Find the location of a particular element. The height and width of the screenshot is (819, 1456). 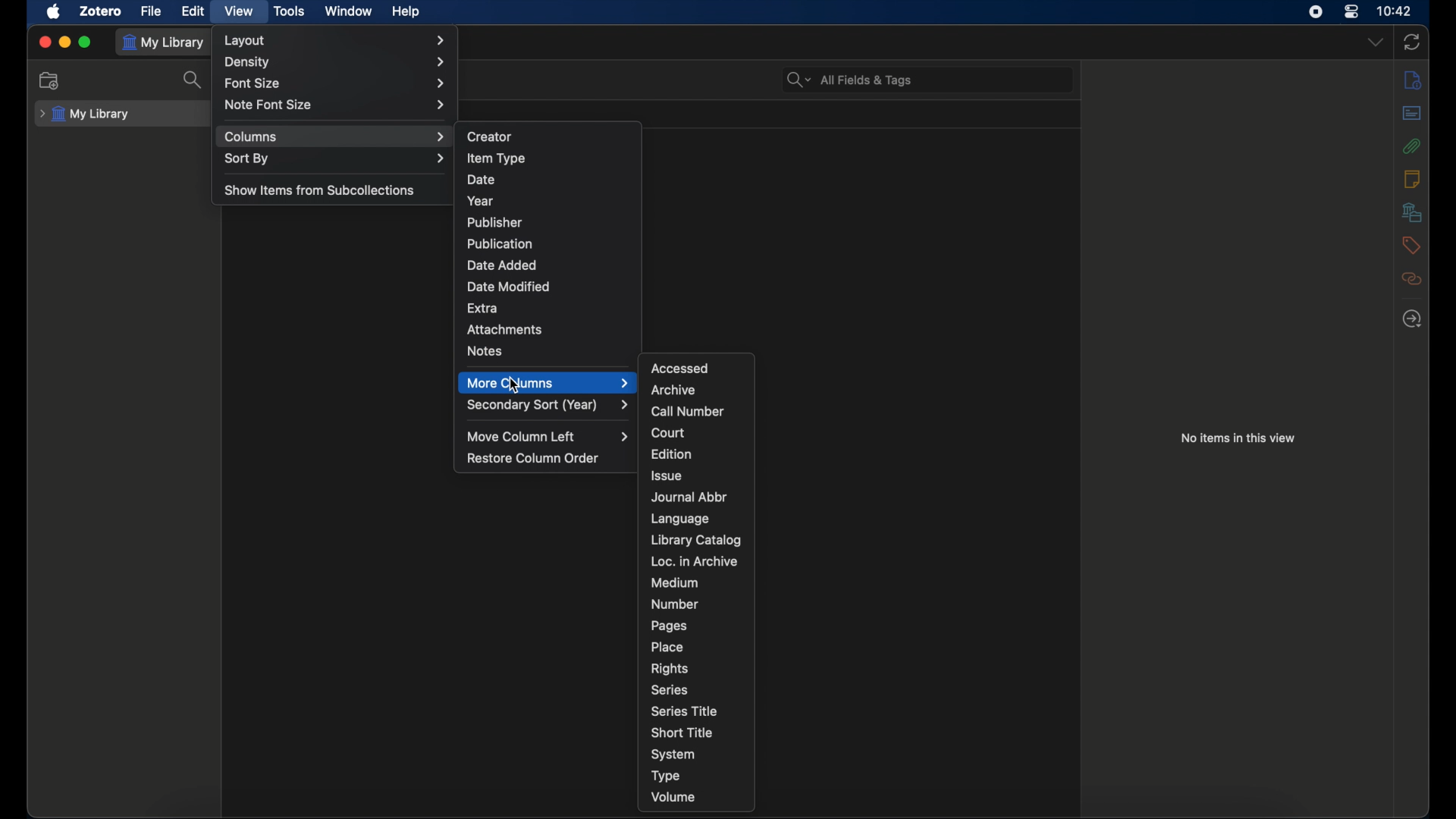

sort by is located at coordinates (337, 159).